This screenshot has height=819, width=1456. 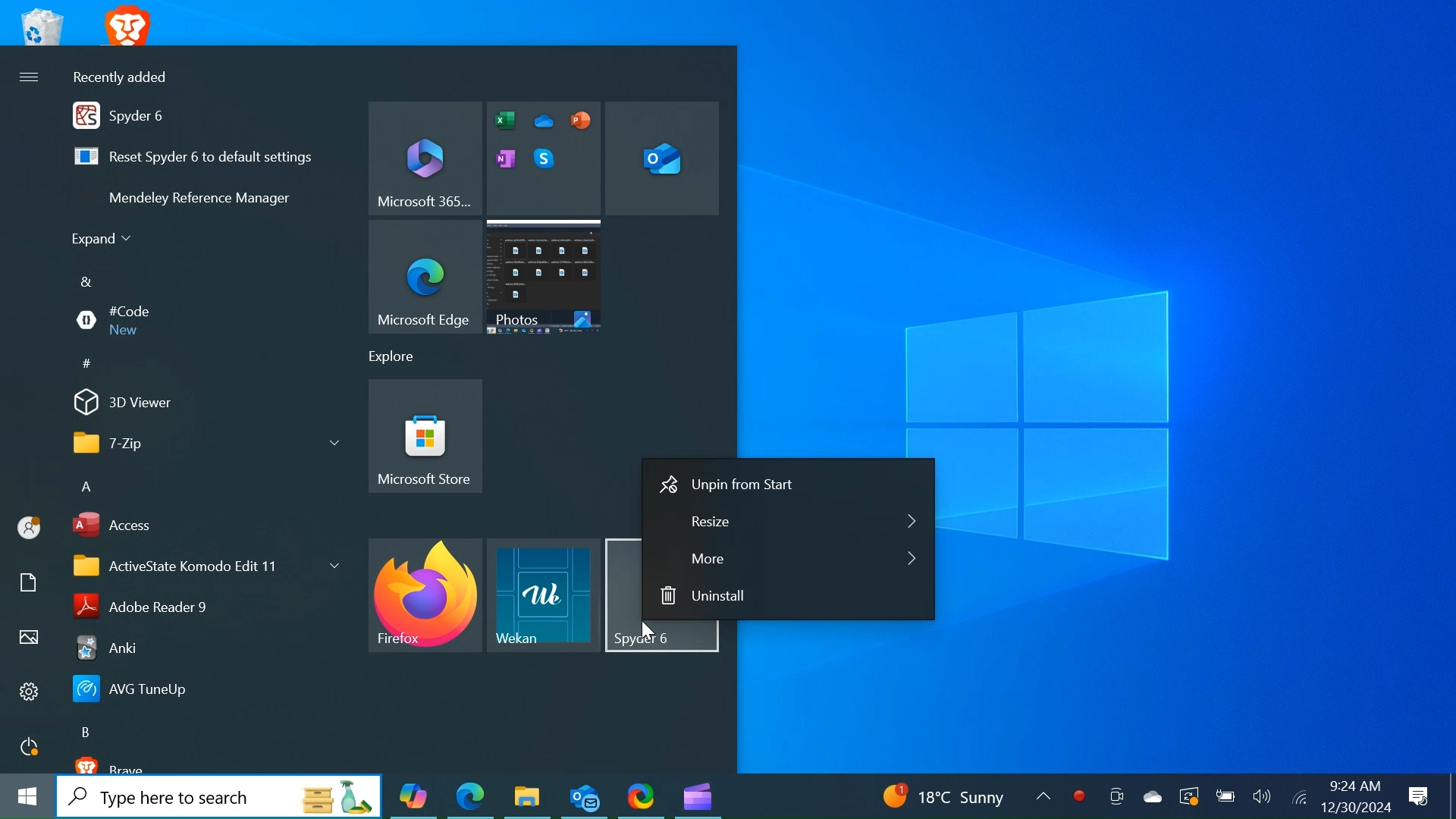 I want to click on &, so click(x=89, y=282).